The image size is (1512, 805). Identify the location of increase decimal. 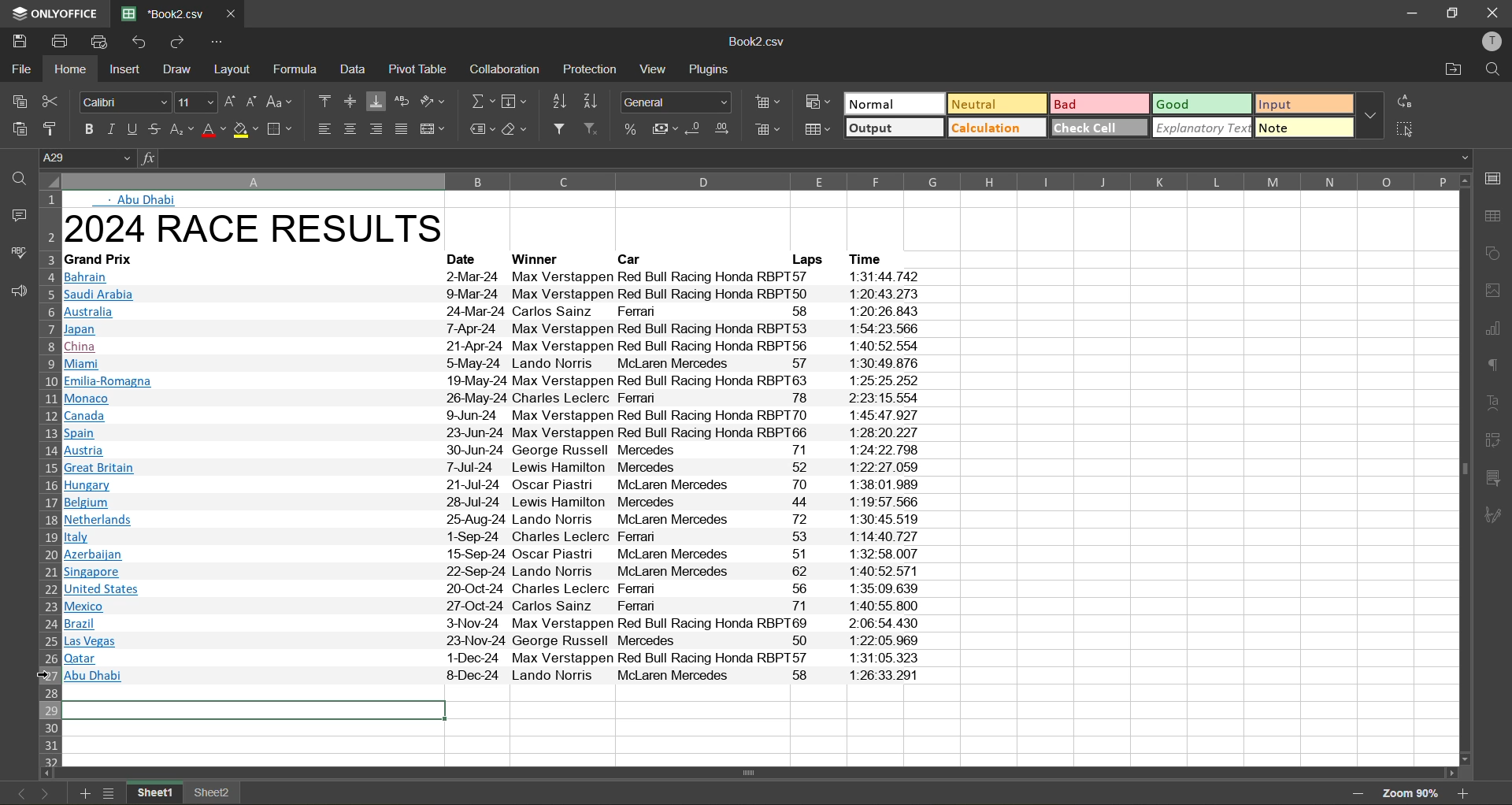
(722, 129).